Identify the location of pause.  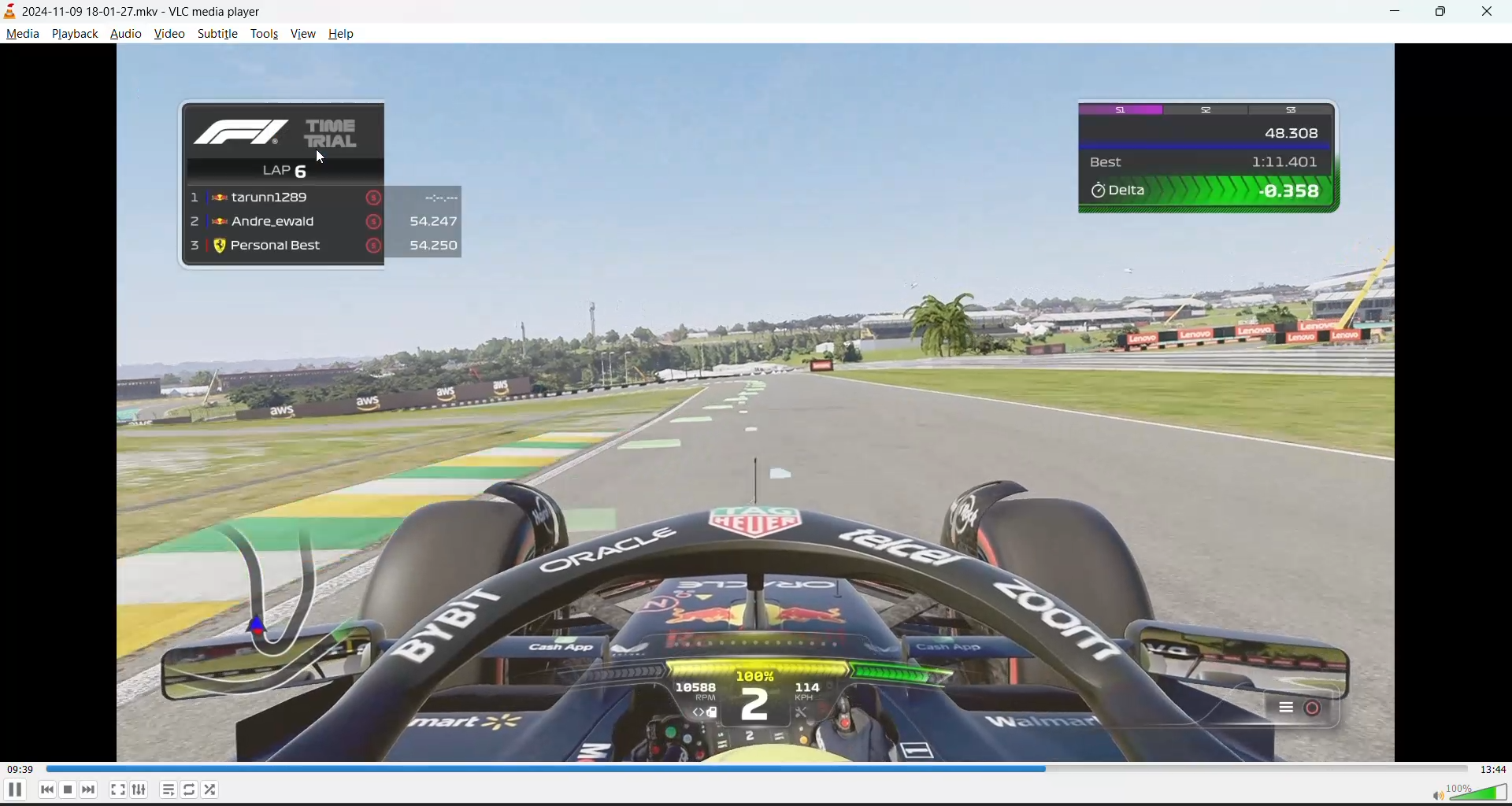
(11, 792).